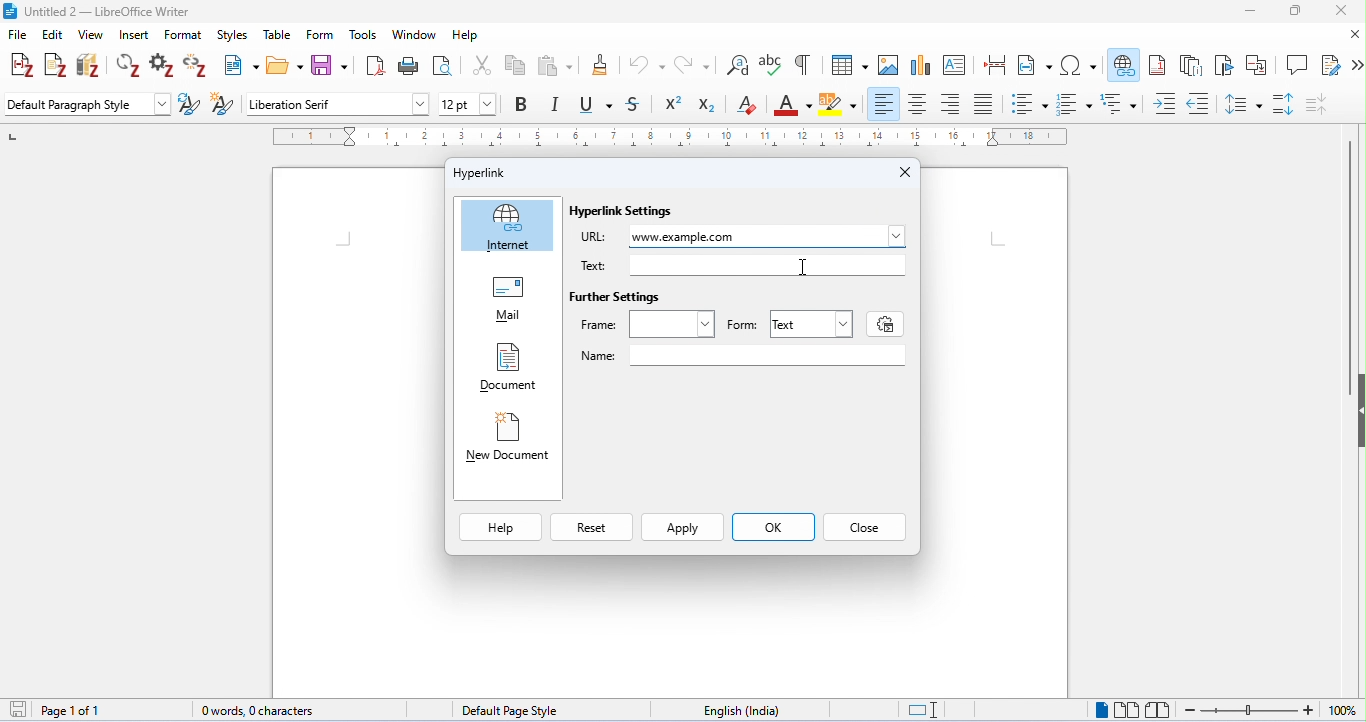 The height and width of the screenshot is (722, 1366). I want to click on page 1 of 1, so click(73, 711).